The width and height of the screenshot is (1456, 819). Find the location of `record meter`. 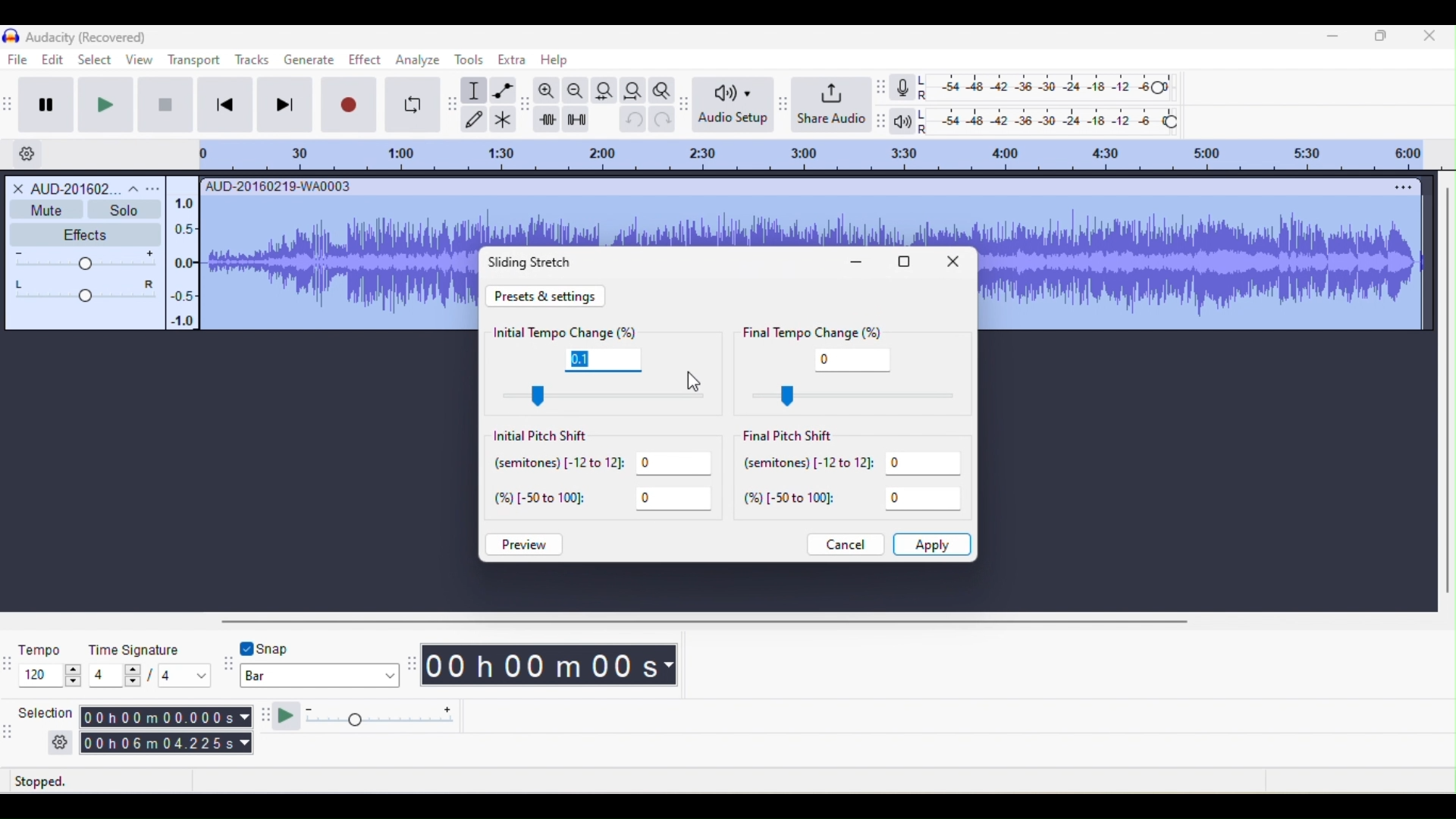

record meter is located at coordinates (903, 88).